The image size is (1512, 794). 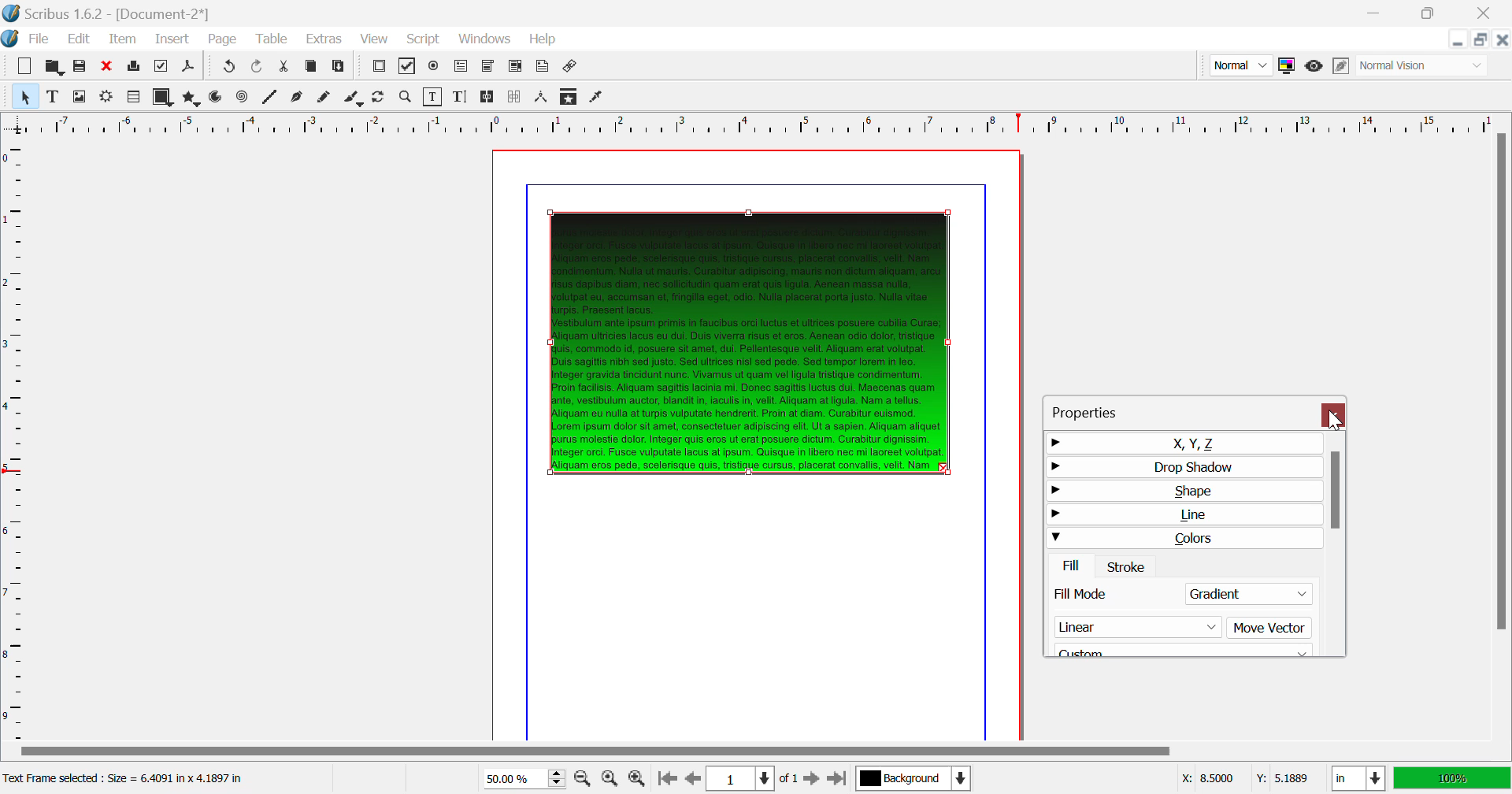 What do you see at coordinates (162, 97) in the screenshot?
I see `Shapes` at bounding box center [162, 97].